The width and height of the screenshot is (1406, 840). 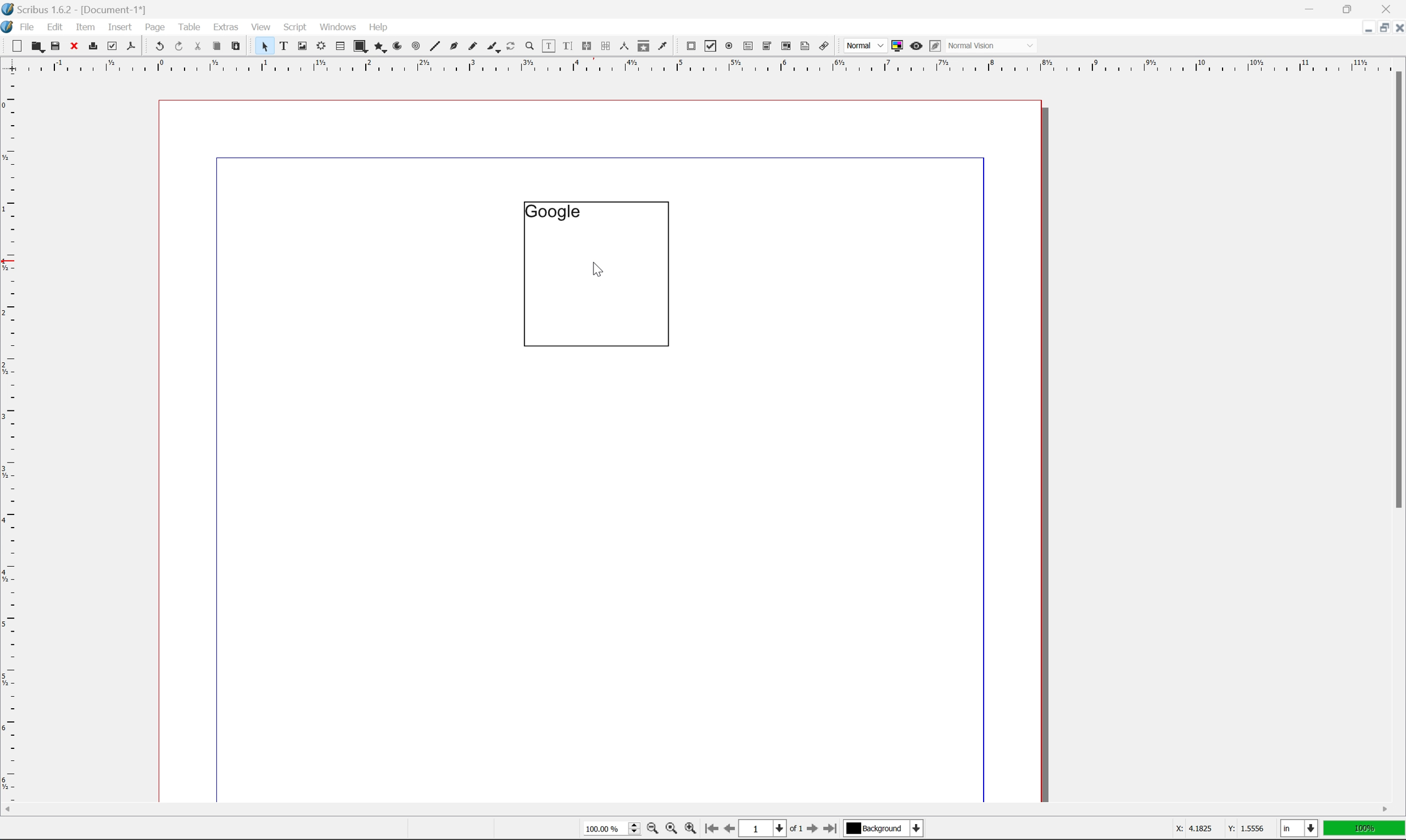 I want to click on 100%, so click(x=1365, y=830).